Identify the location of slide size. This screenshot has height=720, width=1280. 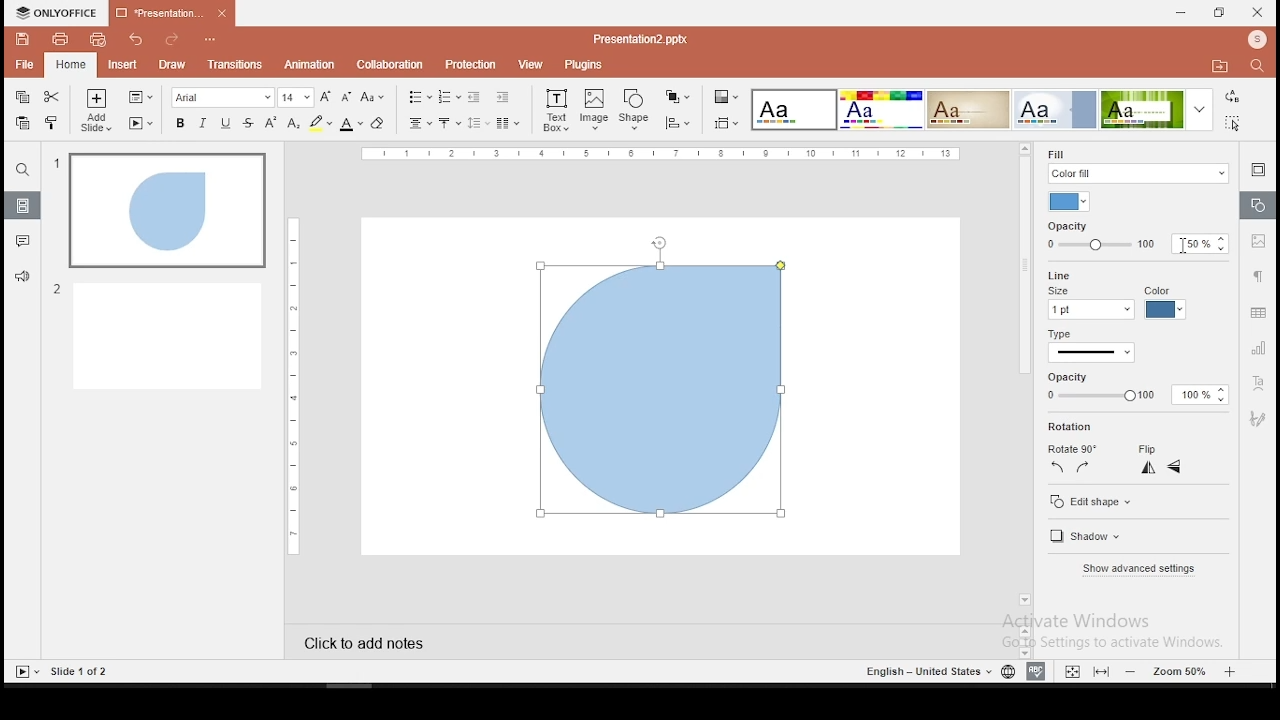
(724, 124).